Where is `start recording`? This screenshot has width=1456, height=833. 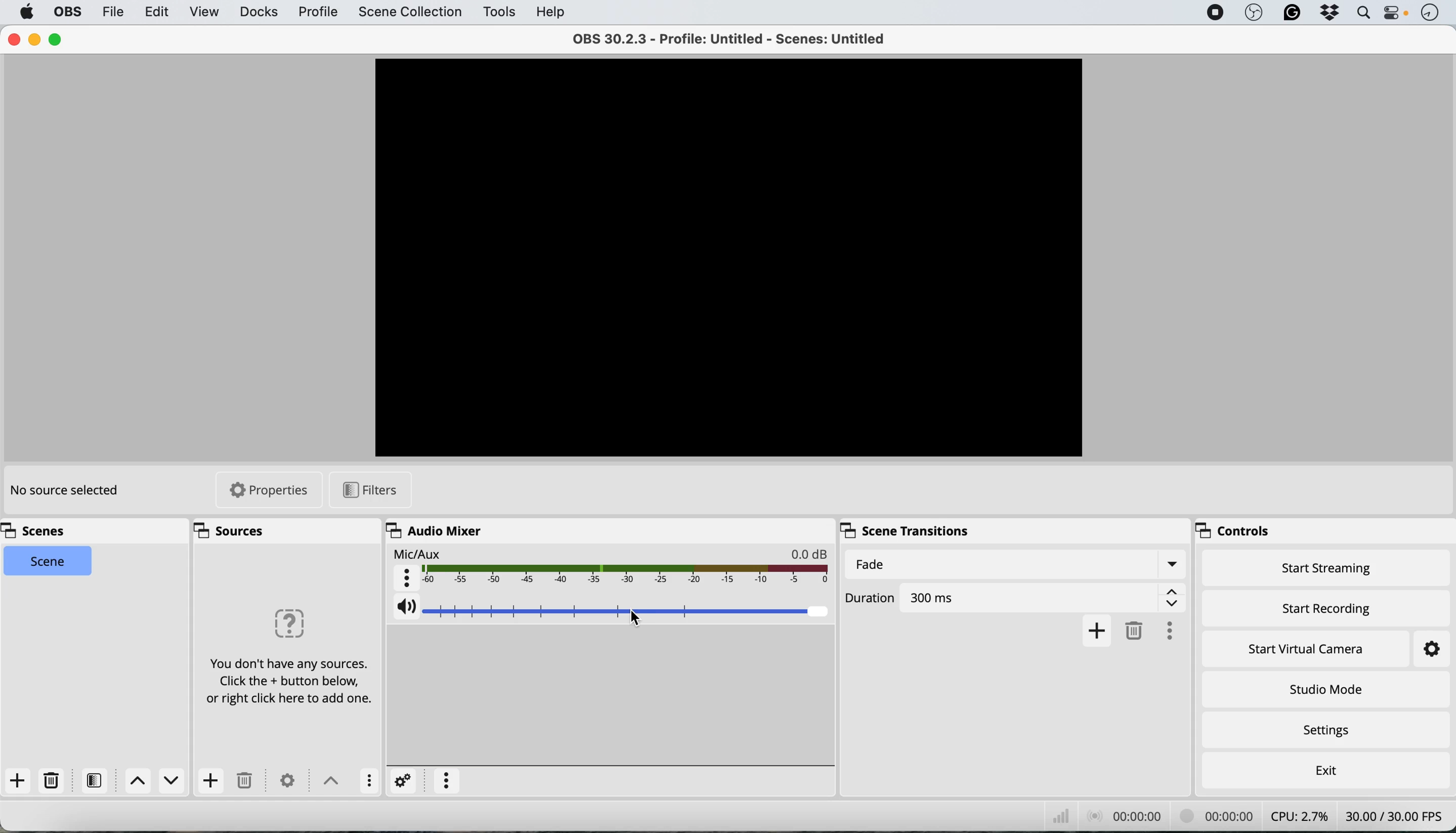 start recording is located at coordinates (1332, 608).